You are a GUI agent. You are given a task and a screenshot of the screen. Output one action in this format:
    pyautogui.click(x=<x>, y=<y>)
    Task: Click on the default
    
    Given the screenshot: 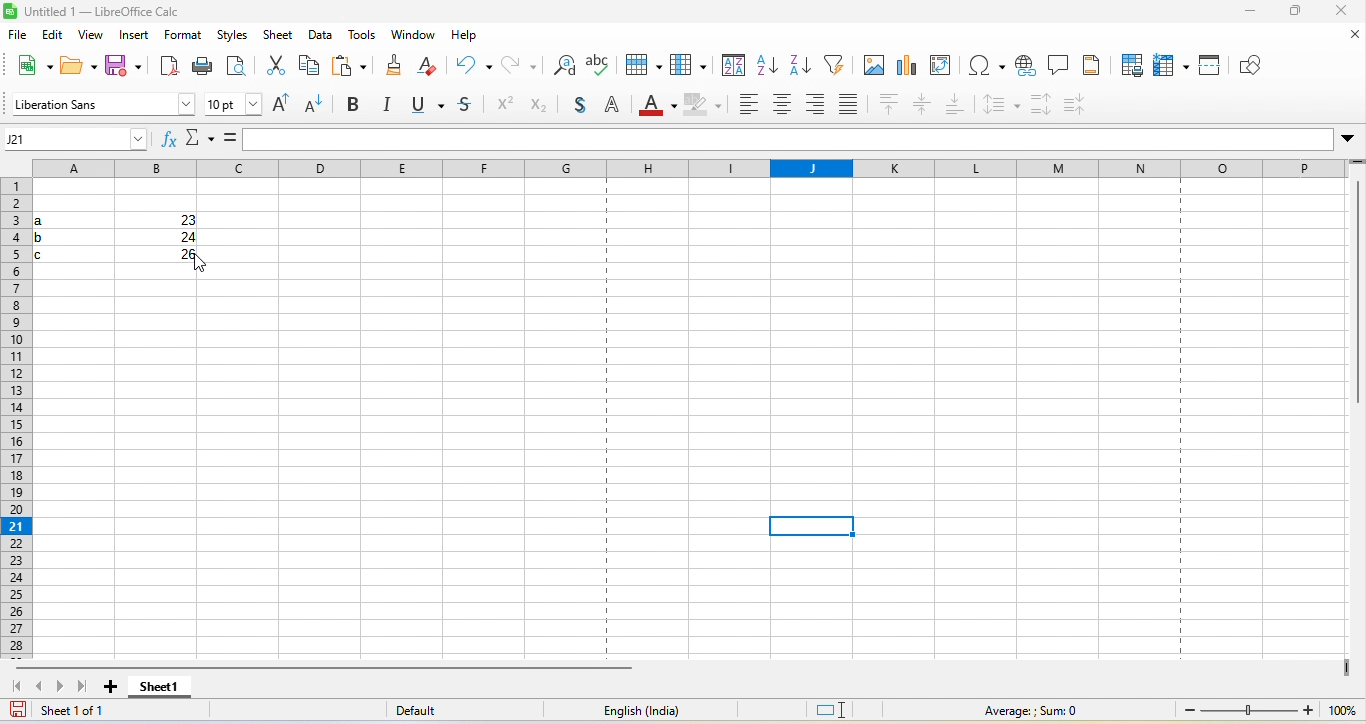 What is the action you would take?
    pyautogui.click(x=431, y=710)
    